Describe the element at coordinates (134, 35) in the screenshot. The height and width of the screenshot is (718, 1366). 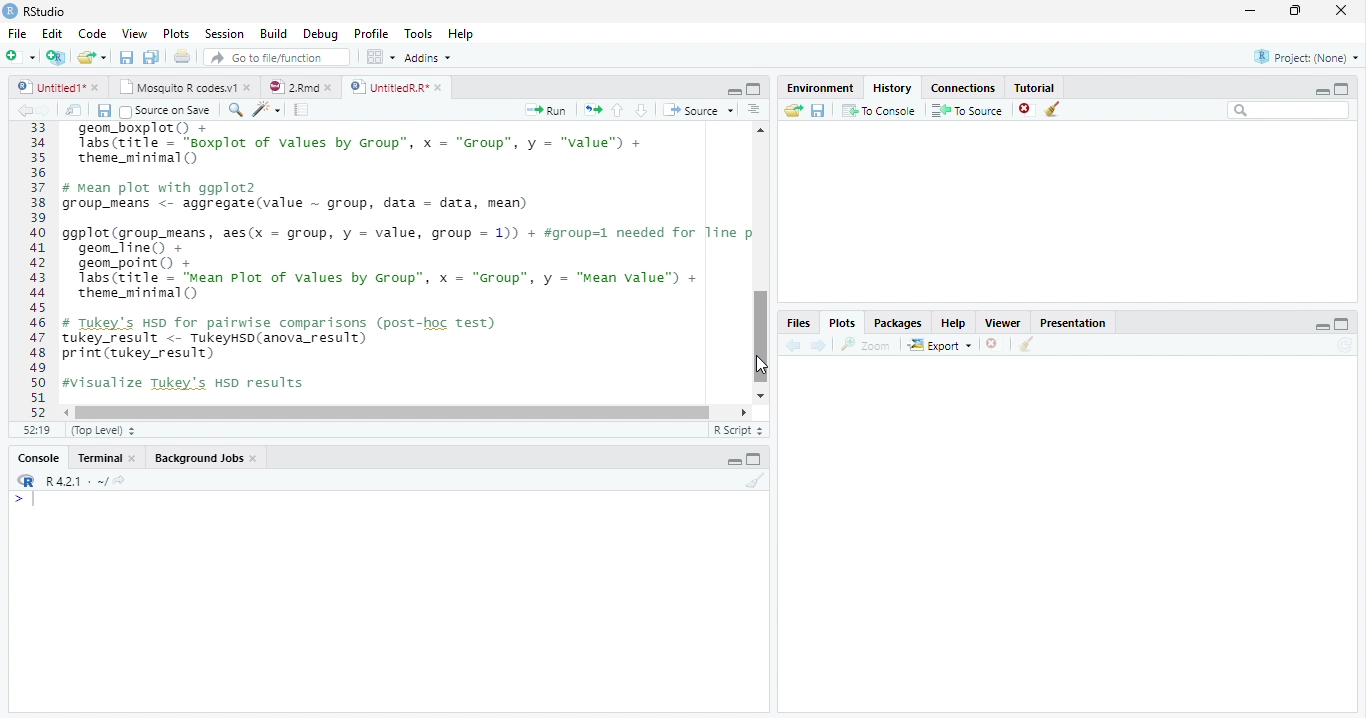
I see `View` at that location.